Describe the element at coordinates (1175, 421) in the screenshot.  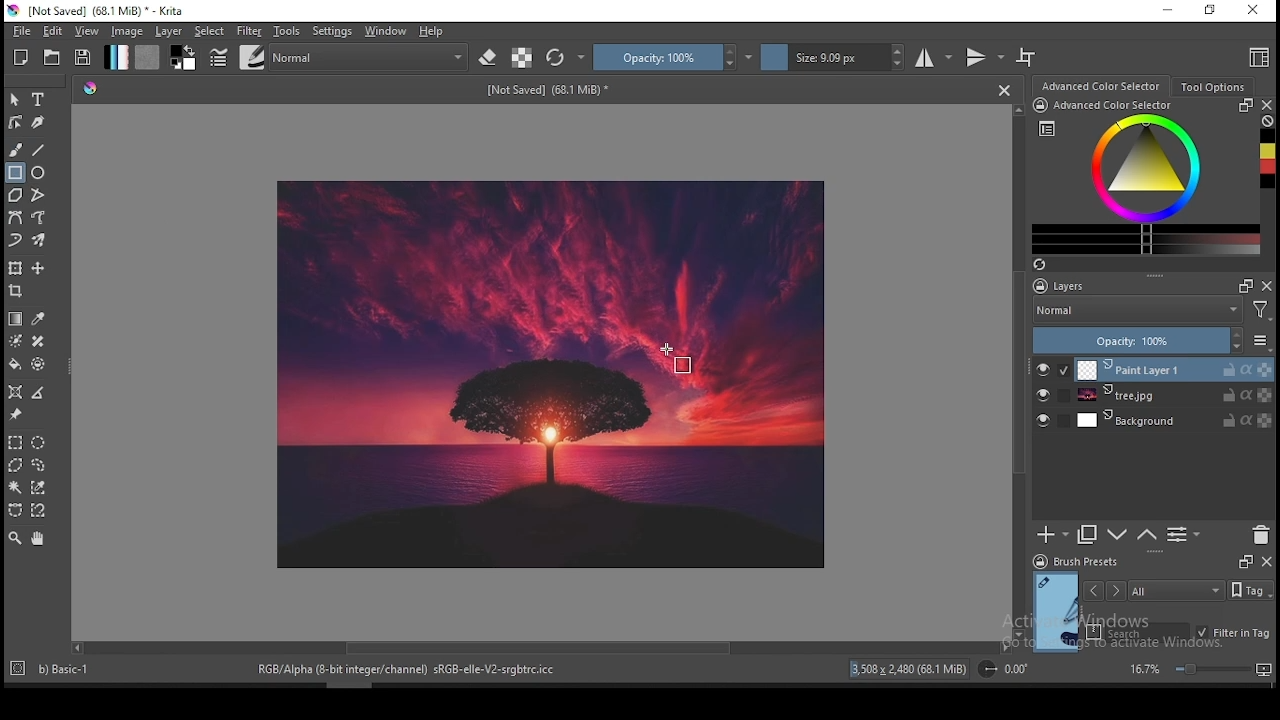
I see `layer` at that location.